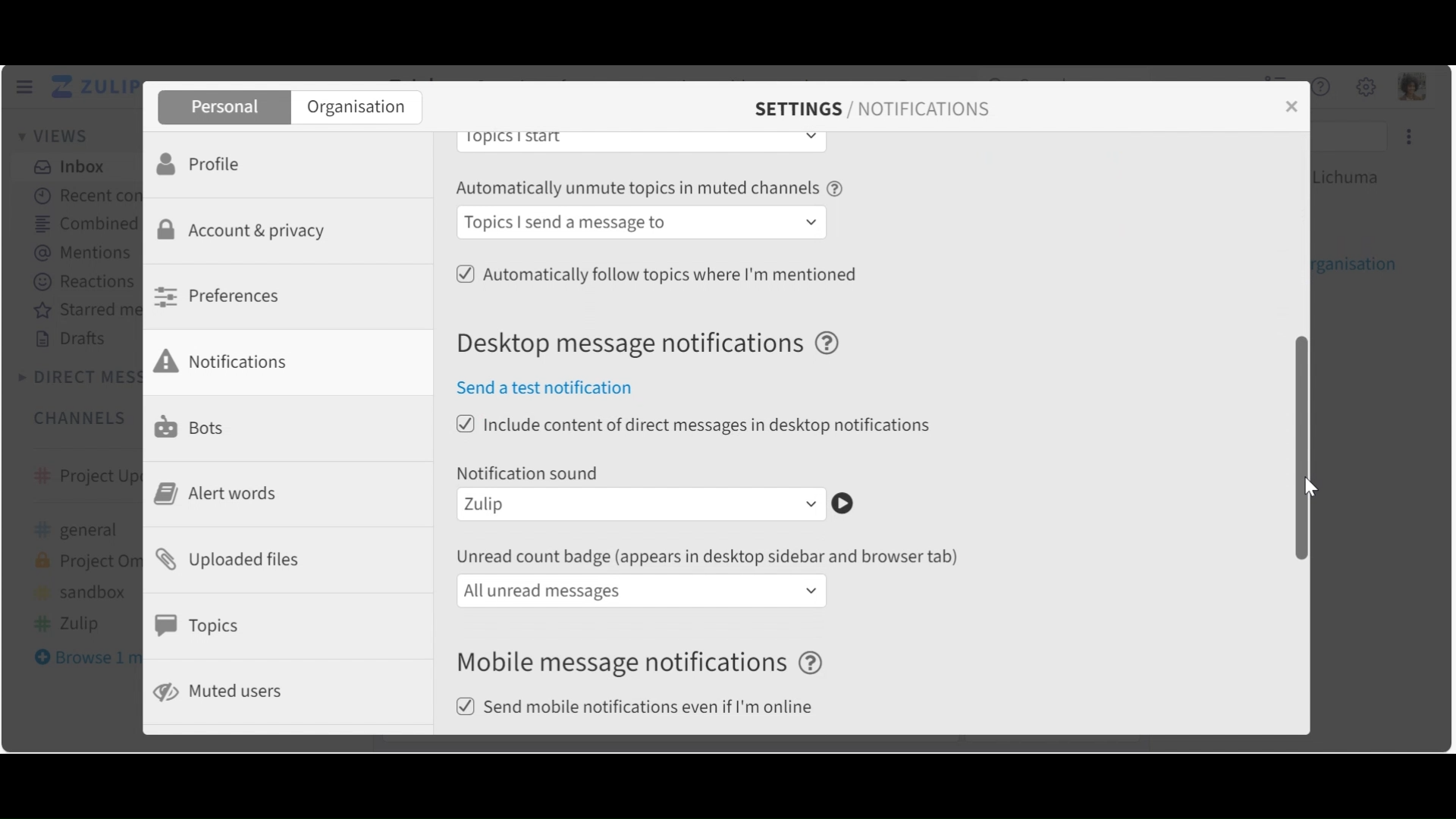 The width and height of the screenshot is (1456, 819). What do you see at coordinates (644, 224) in the screenshot?
I see `Automatically follow topics in muted channels dropdown menu` at bounding box center [644, 224].